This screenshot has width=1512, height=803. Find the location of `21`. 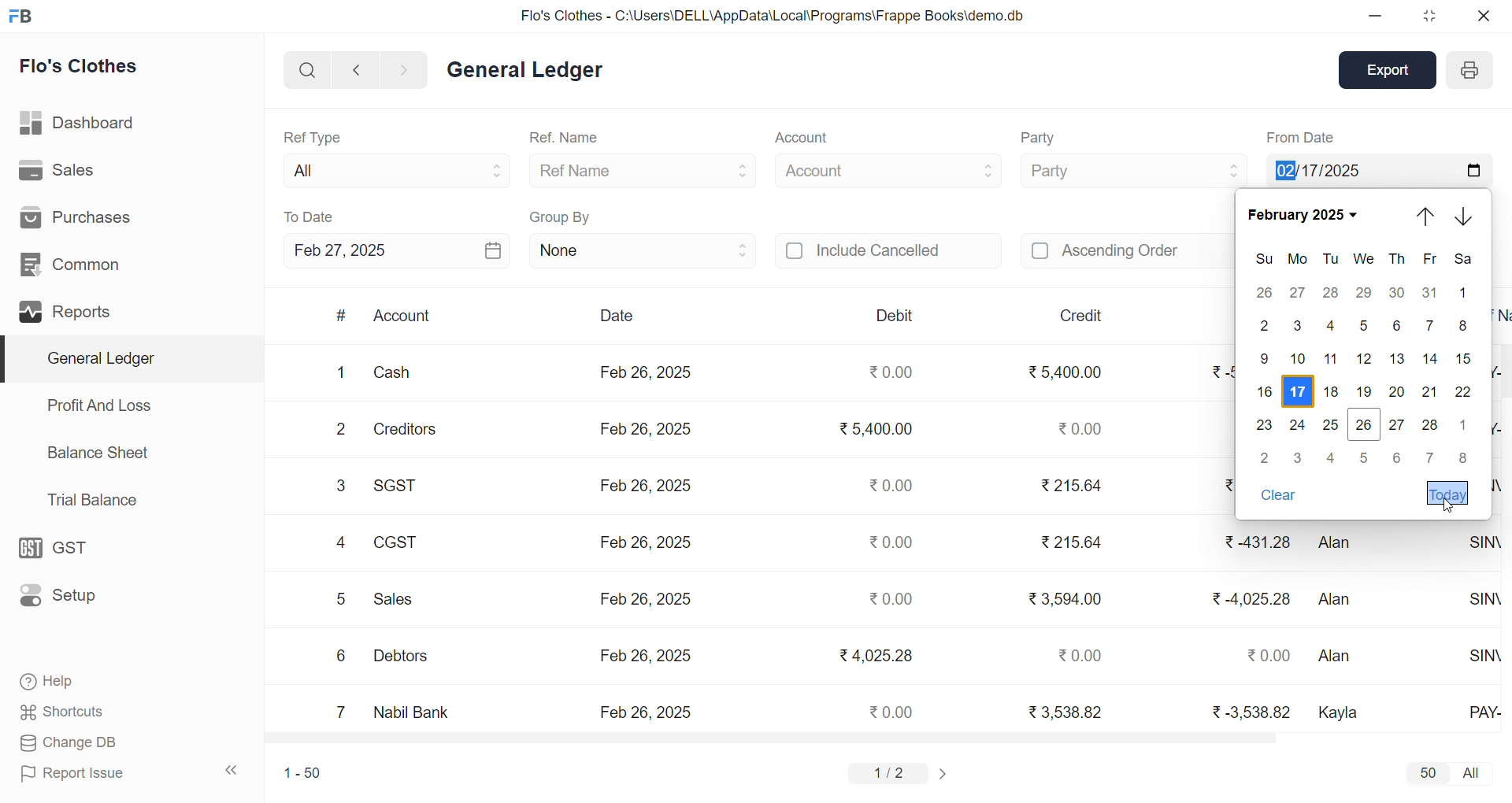

21 is located at coordinates (1428, 393).